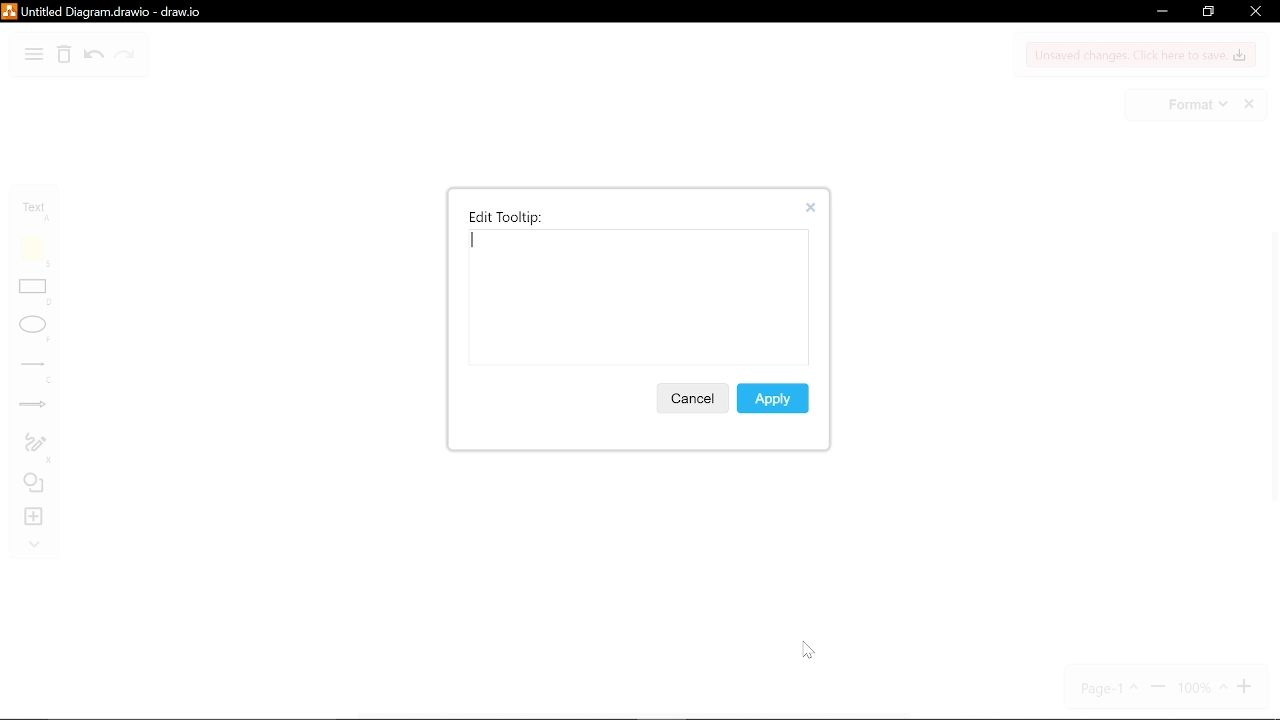 The image size is (1280, 720). Describe the element at coordinates (774, 397) in the screenshot. I see `apply` at that location.